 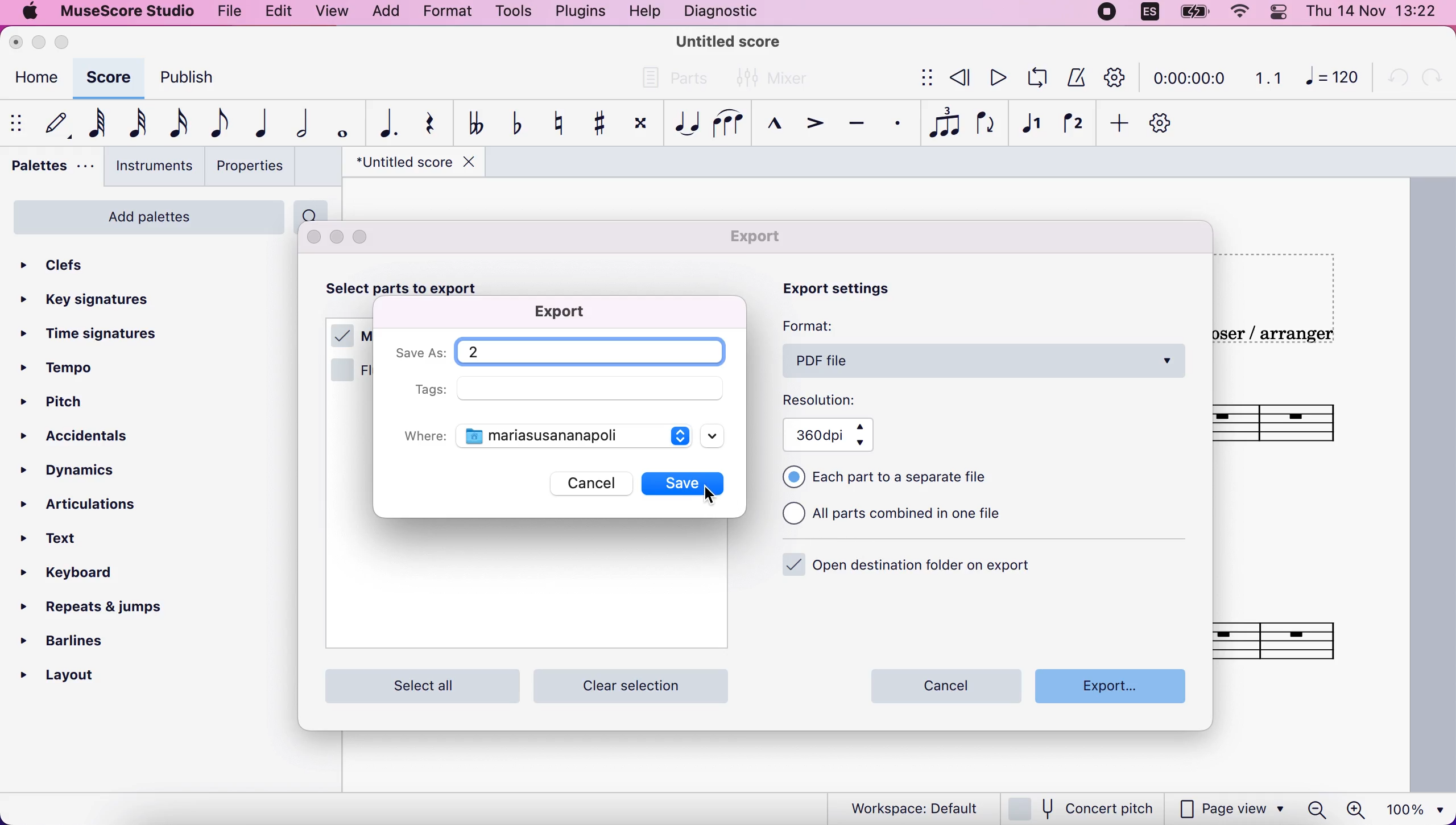 I want to click on eight note, so click(x=217, y=124).